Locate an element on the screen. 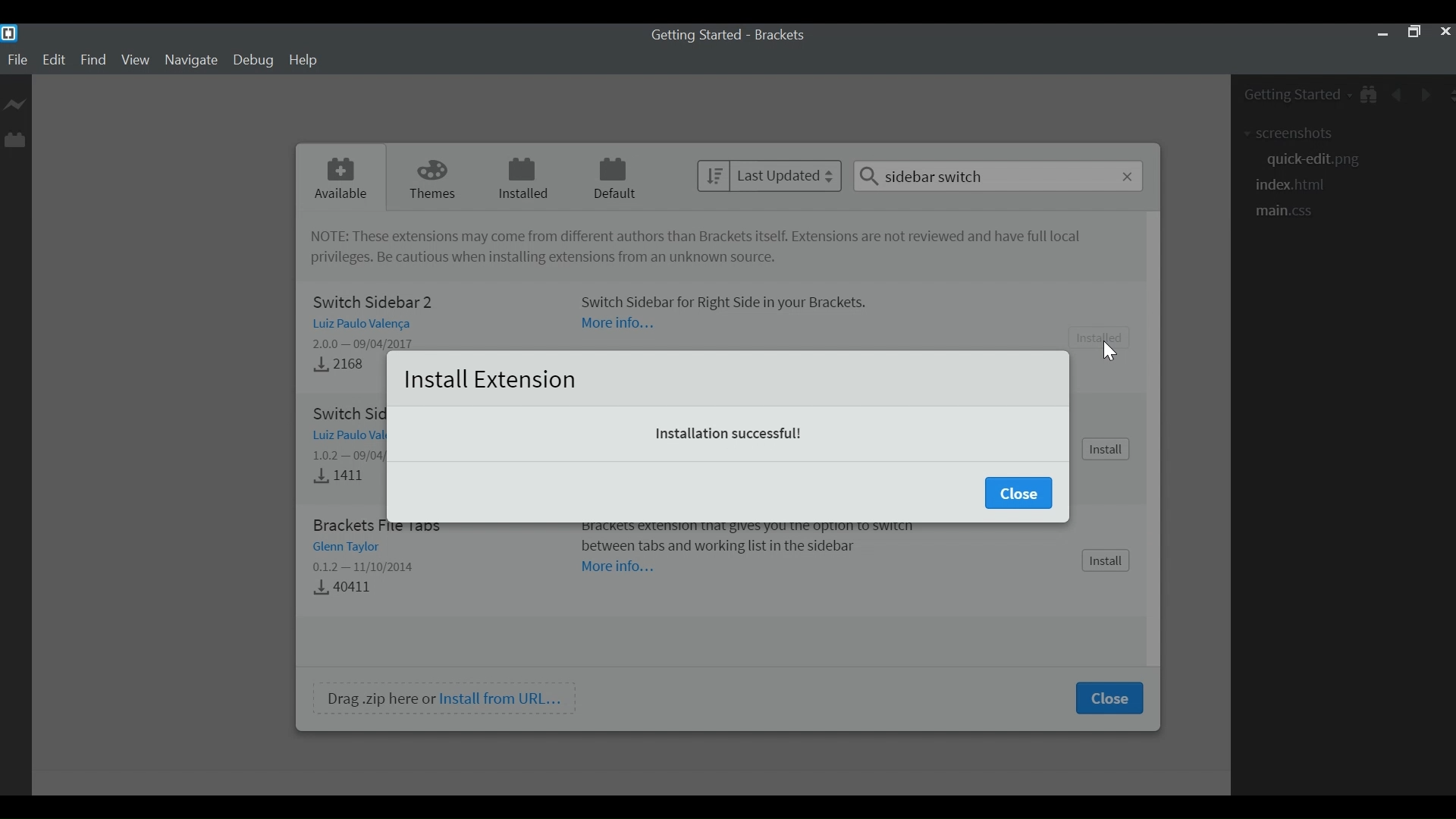 This screenshot has width=1456, height=819. Version - Date Released is located at coordinates (368, 567).